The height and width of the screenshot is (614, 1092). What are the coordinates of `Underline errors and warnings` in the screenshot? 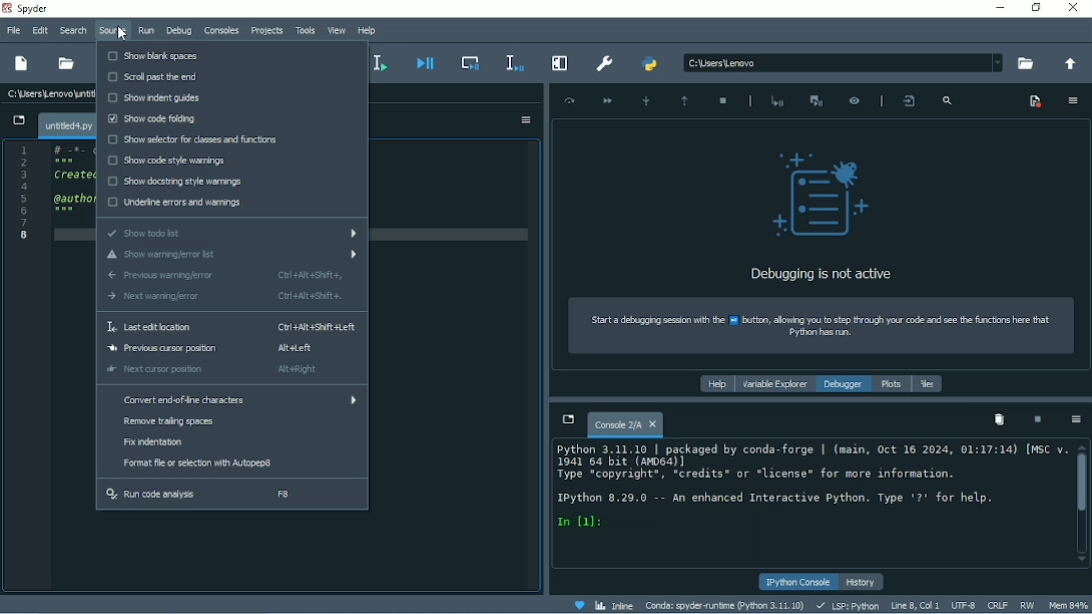 It's located at (232, 202).